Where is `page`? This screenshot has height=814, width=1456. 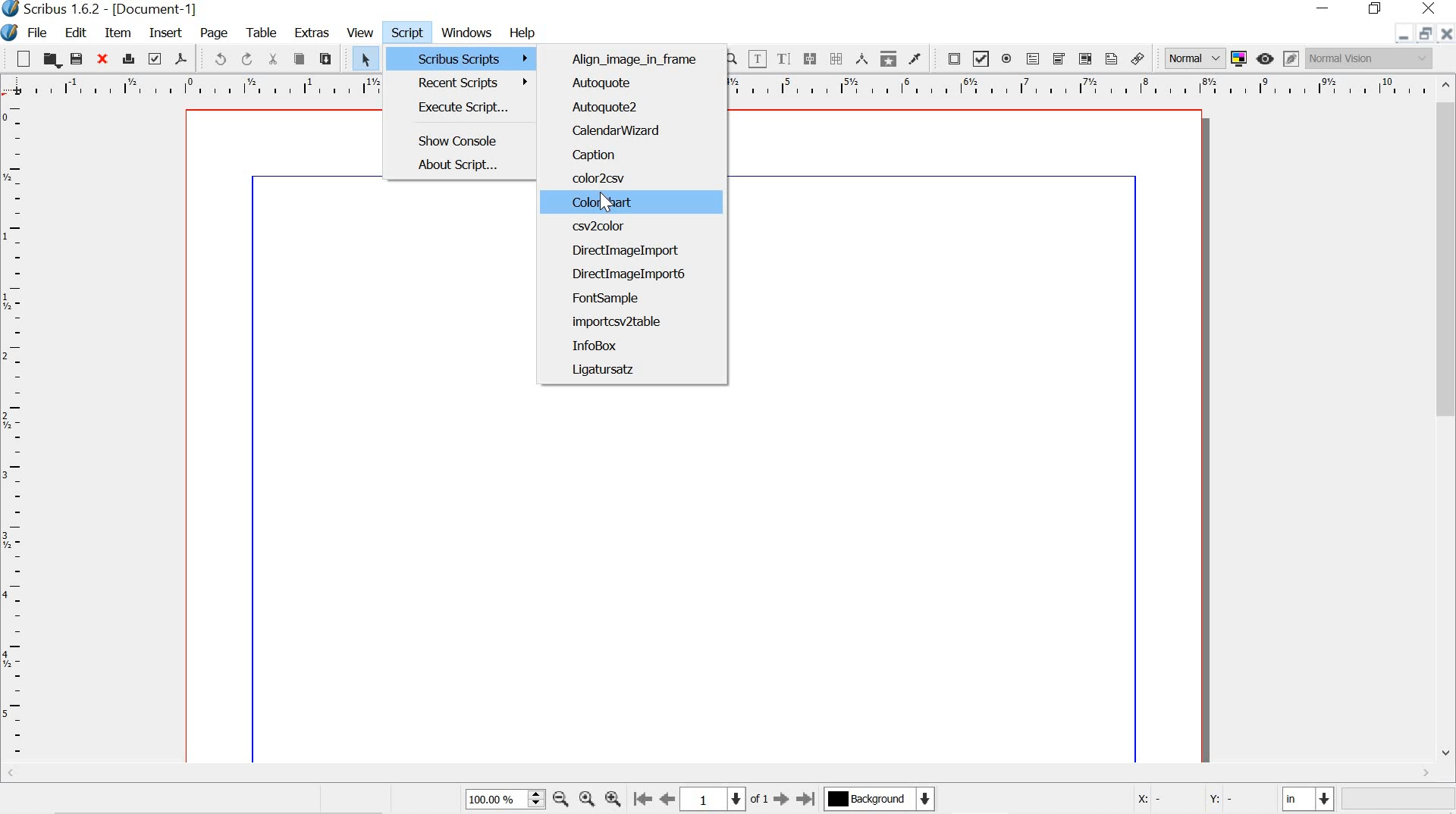 page is located at coordinates (218, 33).